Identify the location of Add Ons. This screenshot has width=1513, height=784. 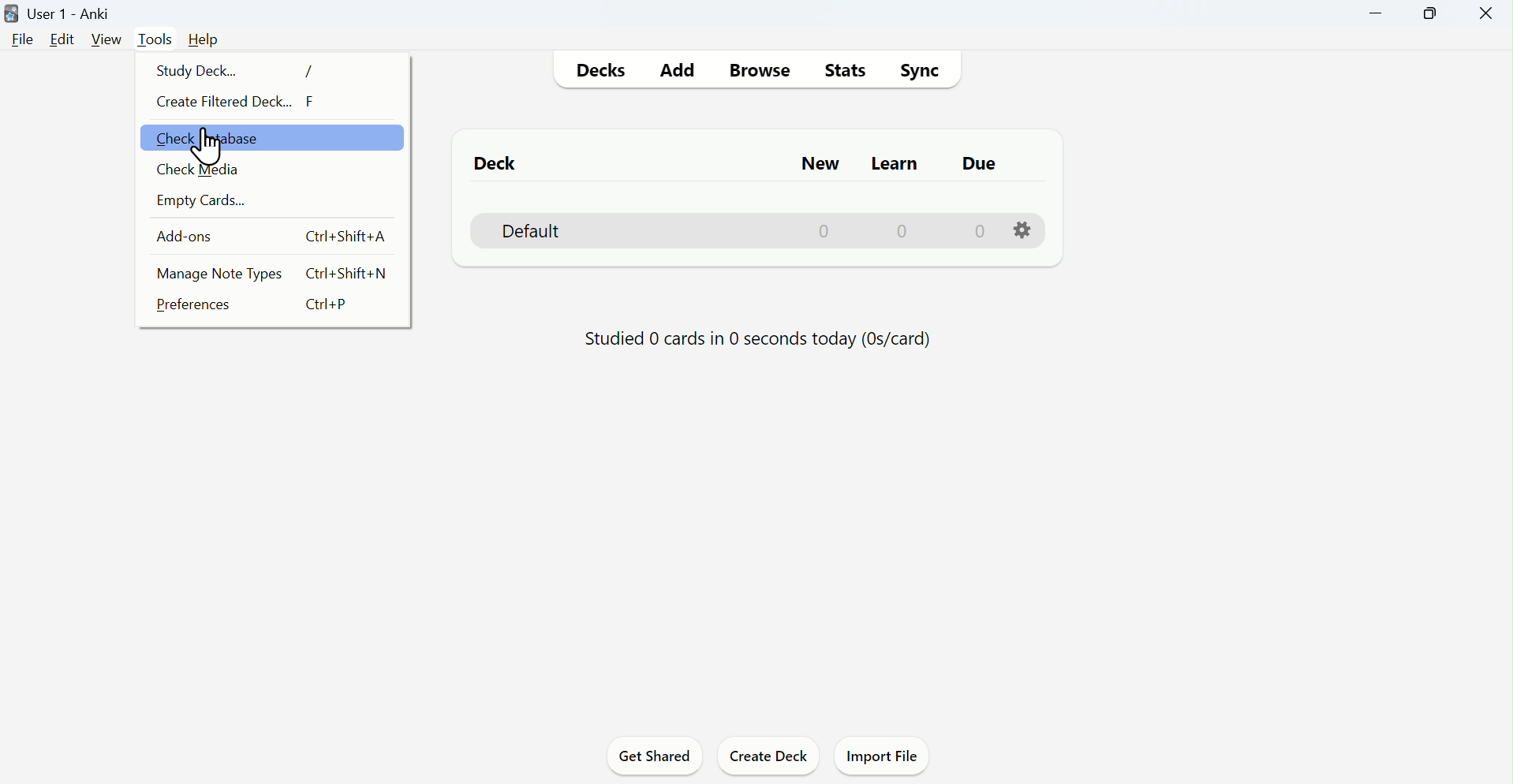
(276, 239).